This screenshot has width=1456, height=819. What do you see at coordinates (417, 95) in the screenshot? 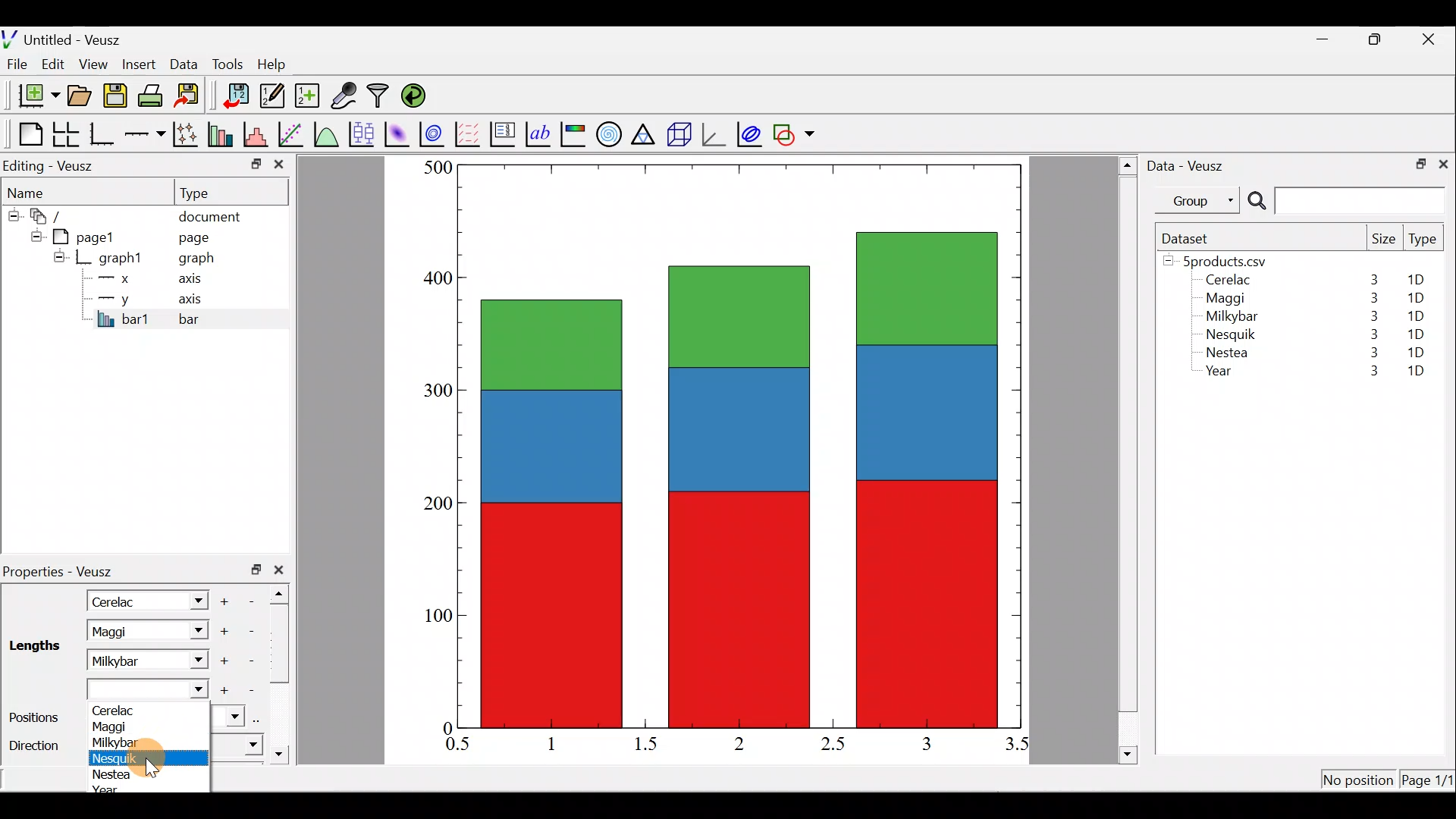
I see `Reload linked datasets` at bounding box center [417, 95].